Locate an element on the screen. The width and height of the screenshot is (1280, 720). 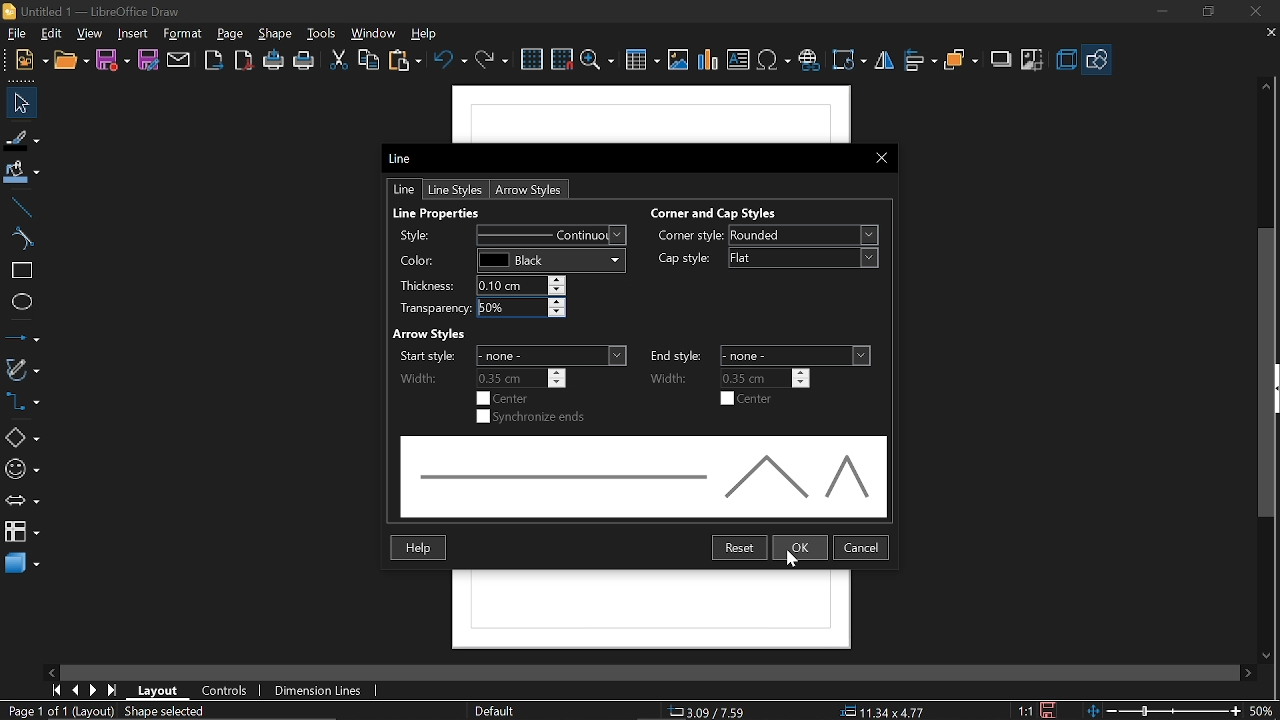
Help is located at coordinates (418, 547).